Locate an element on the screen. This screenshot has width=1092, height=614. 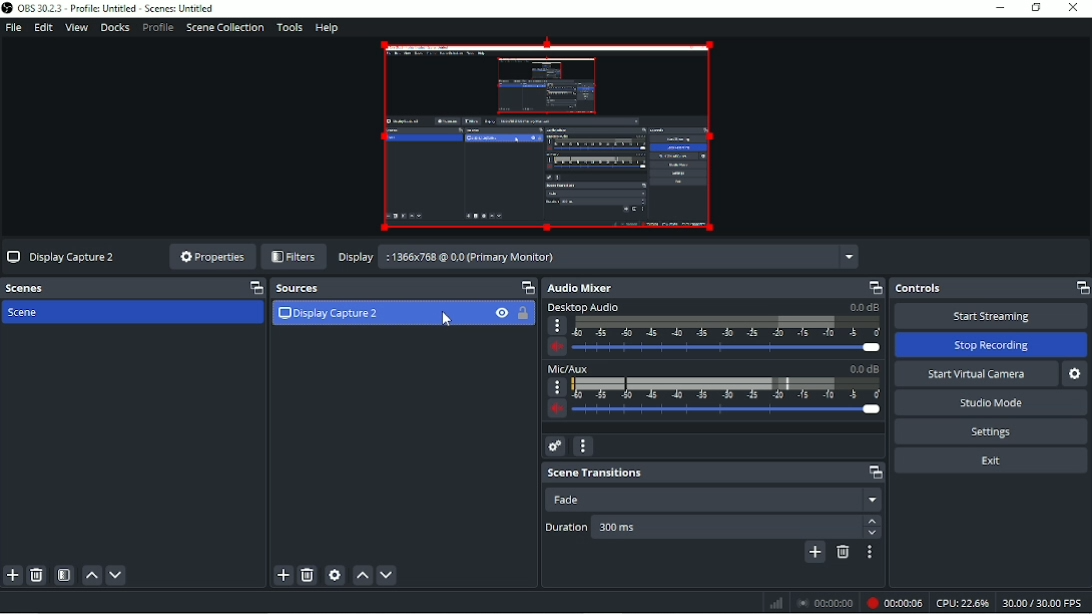
Pointer is located at coordinates (448, 320).